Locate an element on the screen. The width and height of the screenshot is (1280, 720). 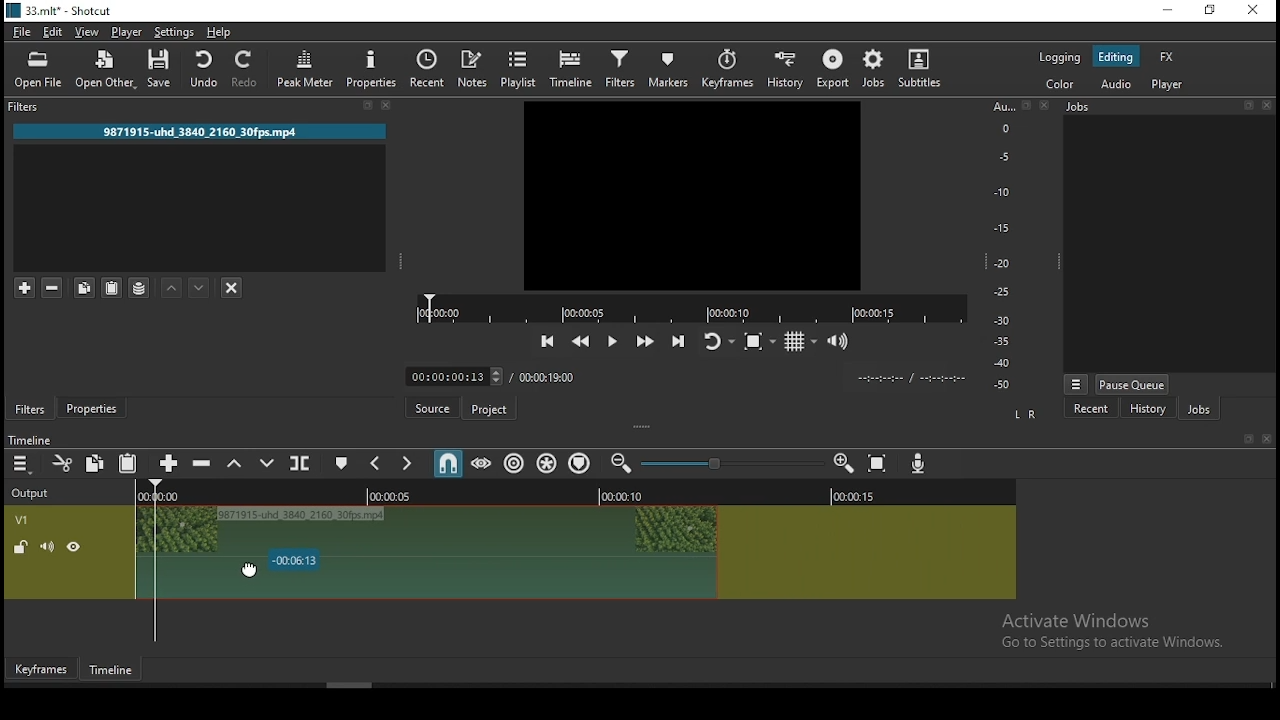
bookmark is located at coordinates (1245, 439).